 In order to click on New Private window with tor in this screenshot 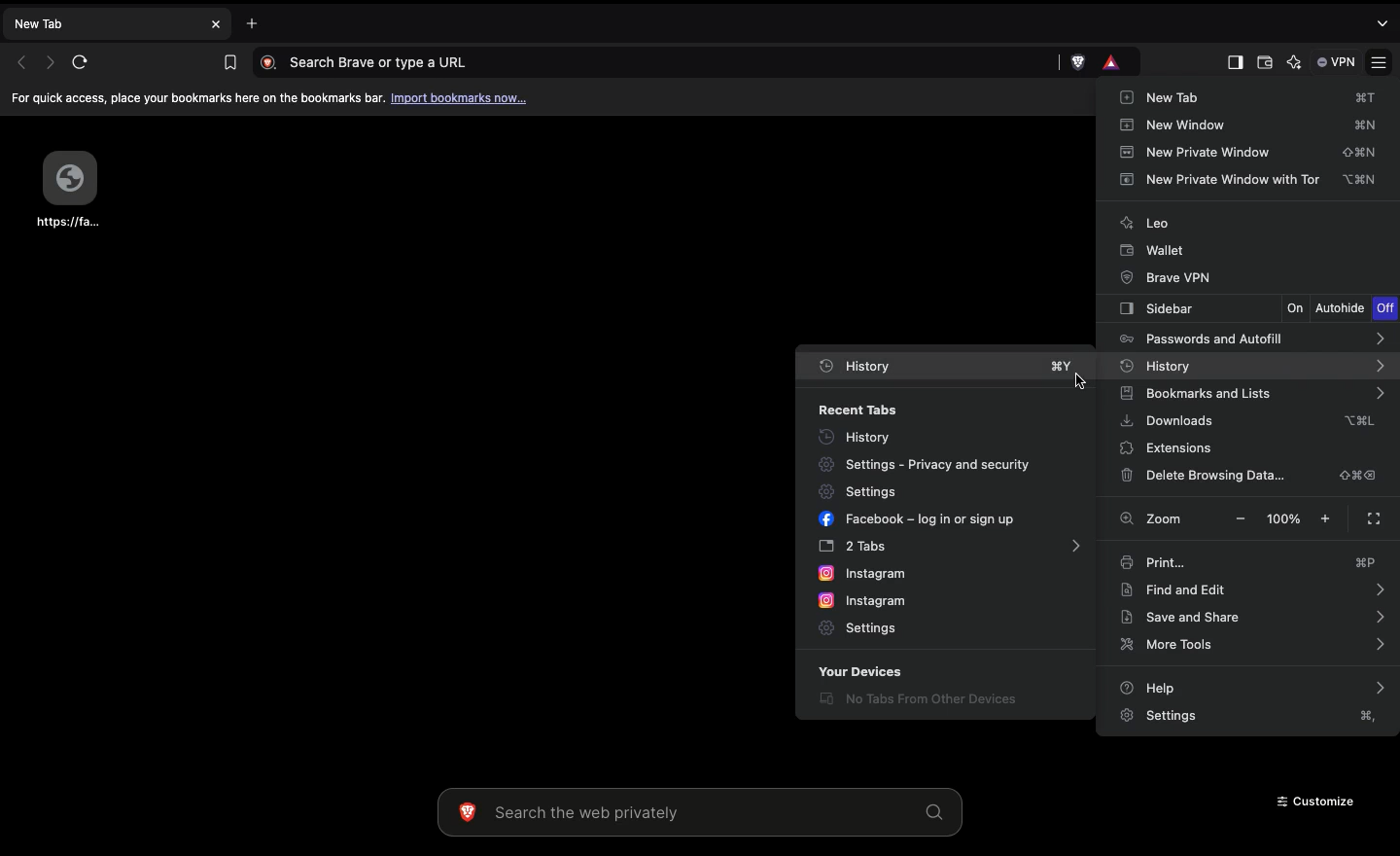, I will do `click(1246, 181)`.